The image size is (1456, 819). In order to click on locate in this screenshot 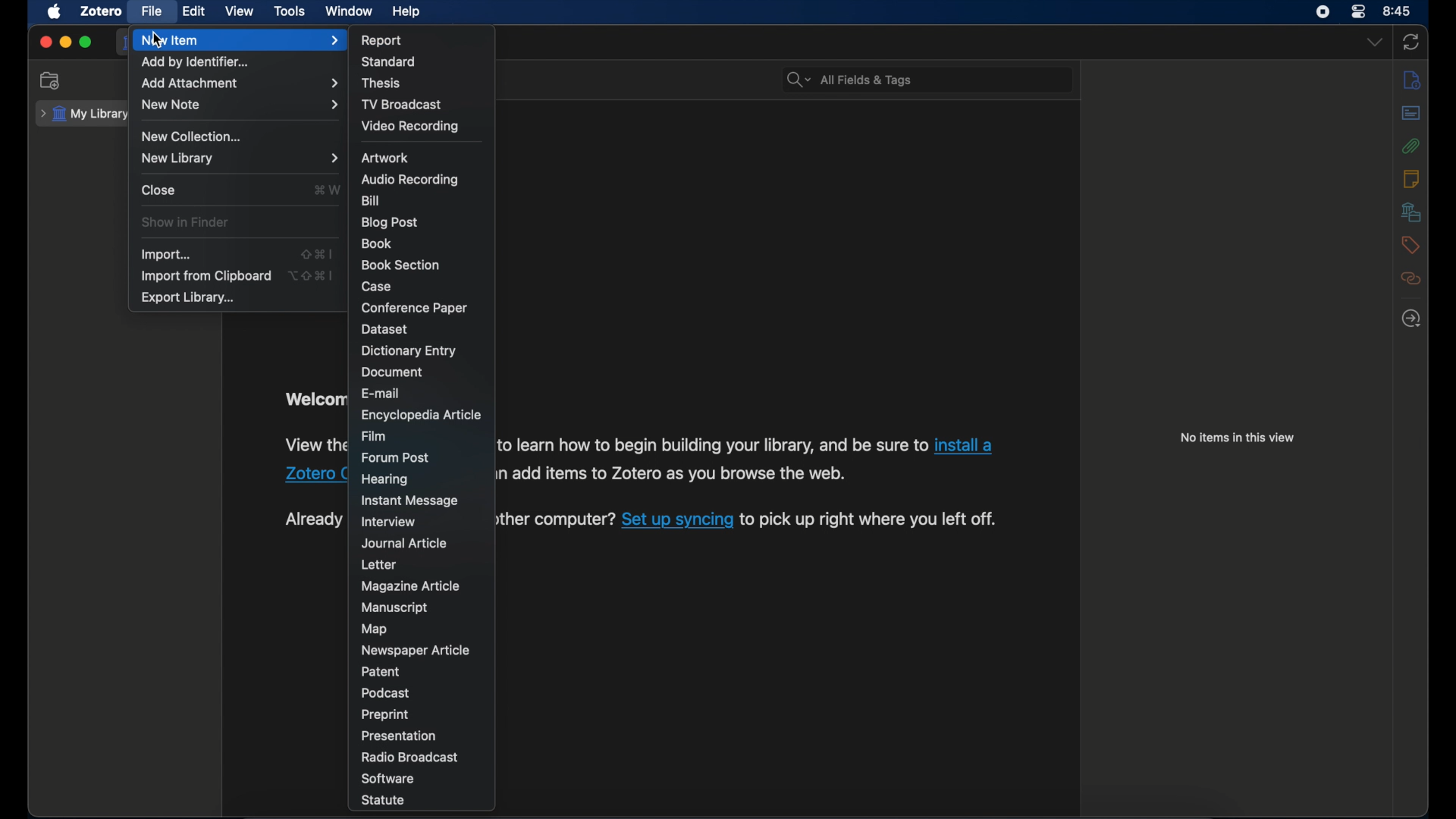, I will do `click(1411, 319)`.